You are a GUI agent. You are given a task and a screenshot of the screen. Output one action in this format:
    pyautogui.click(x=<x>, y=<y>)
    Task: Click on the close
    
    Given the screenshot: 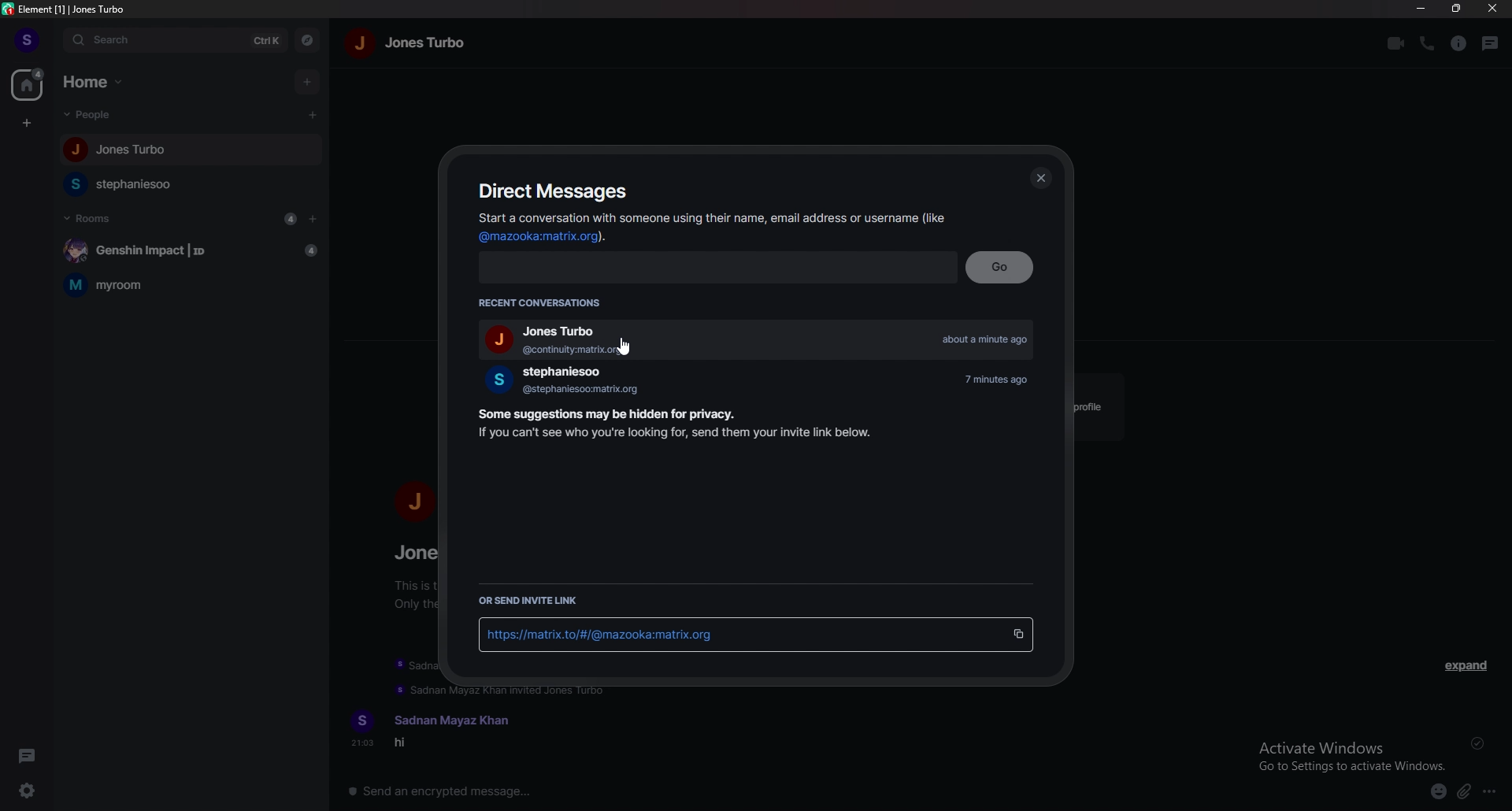 What is the action you would take?
    pyautogui.click(x=1042, y=179)
    